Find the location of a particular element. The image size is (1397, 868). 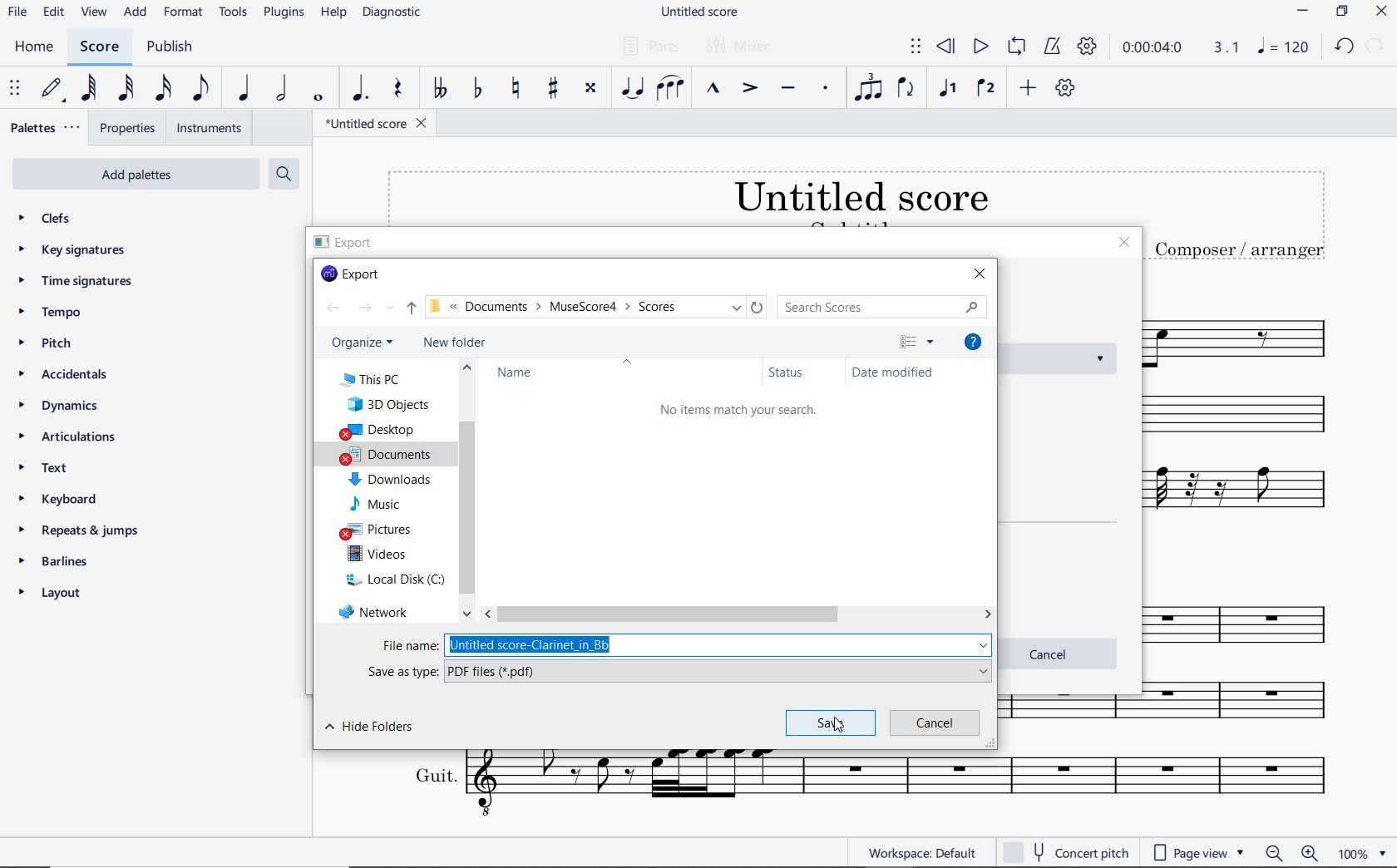

SEARCH FOLDER is located at coordinates (883, 308).